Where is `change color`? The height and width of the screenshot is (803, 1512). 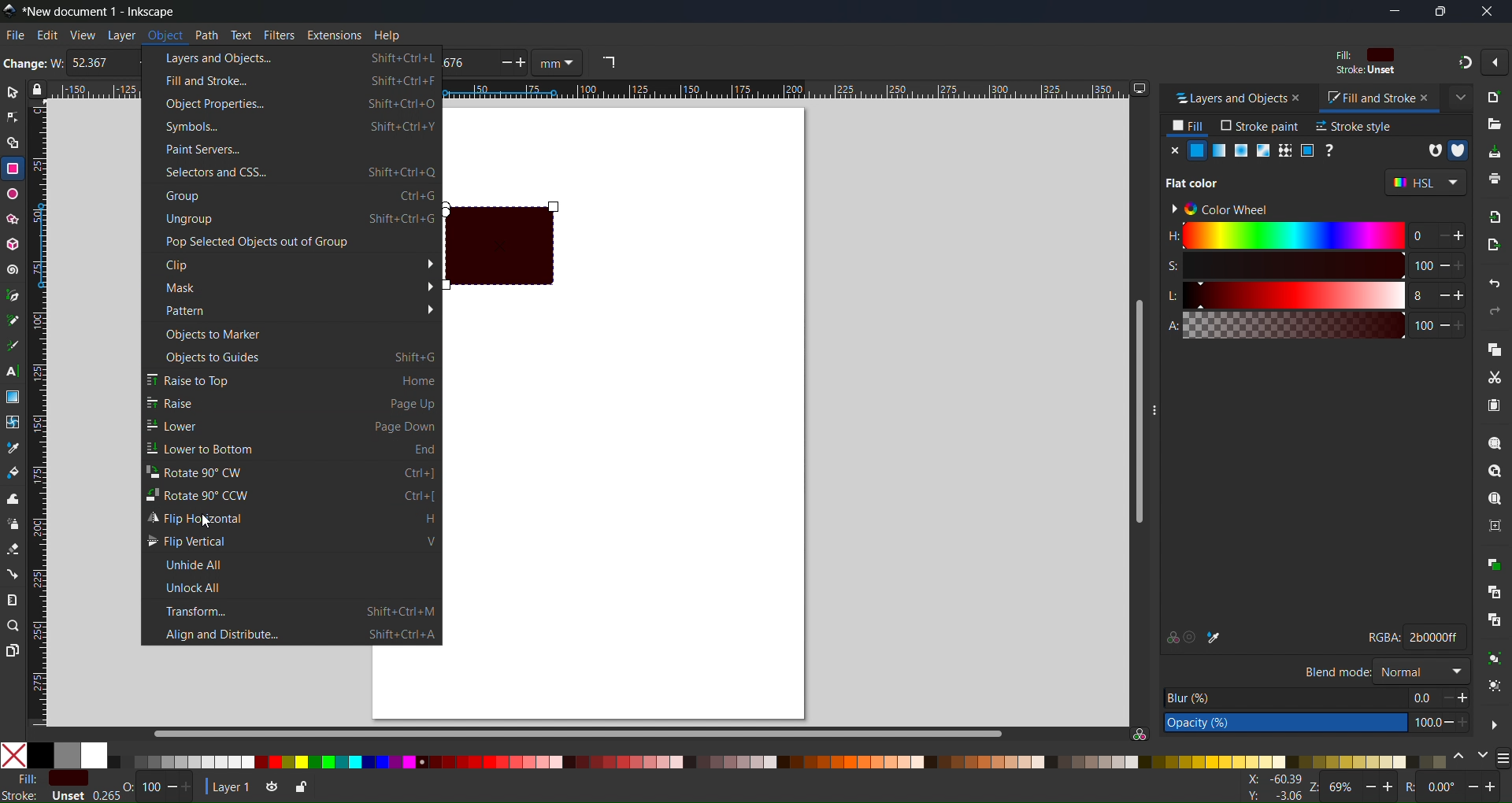
change color is located at coordinates (1481, 758).